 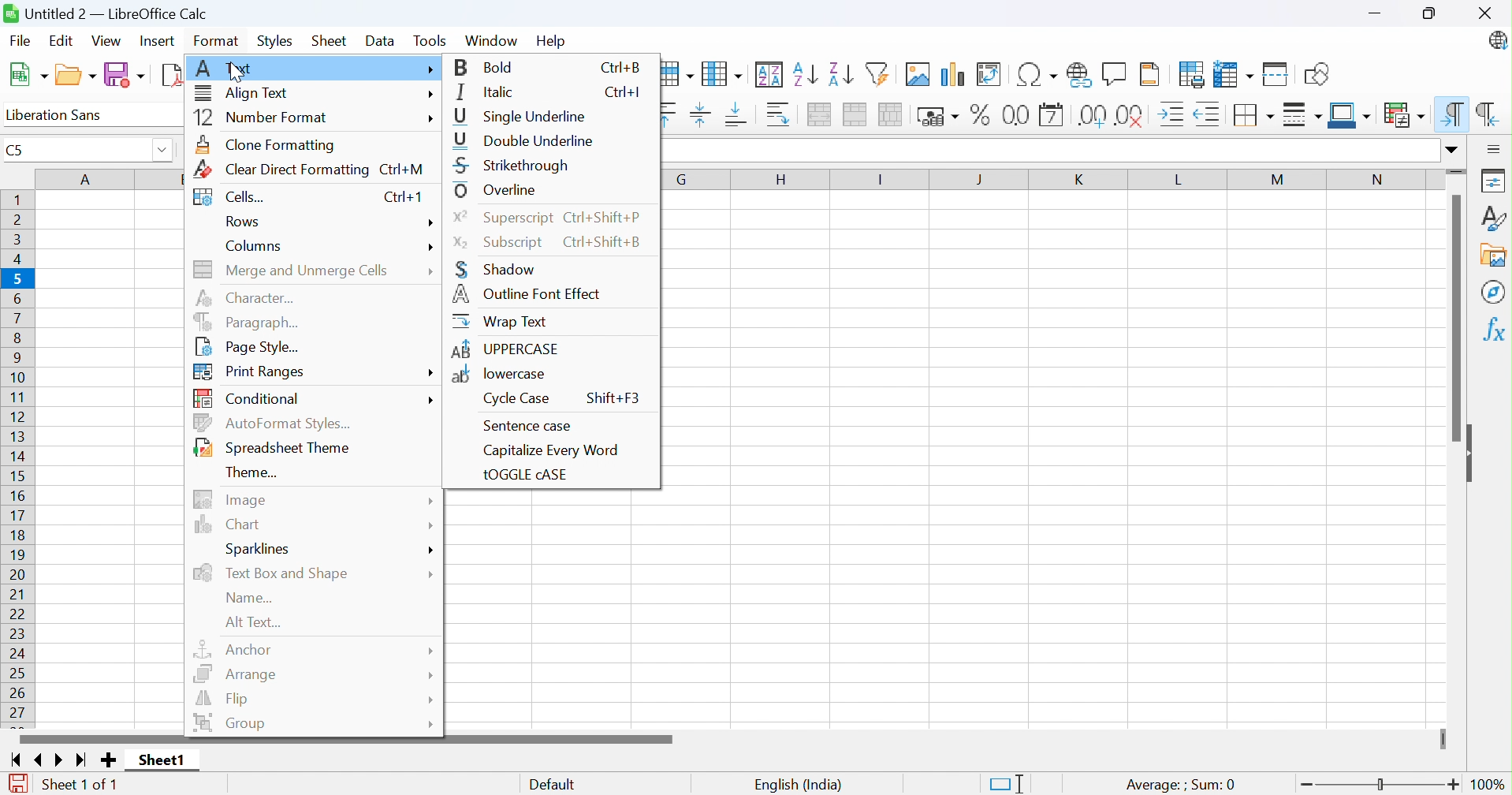 I want to click on The document has been modified. Click to save the document., so click(x=22, y=784).